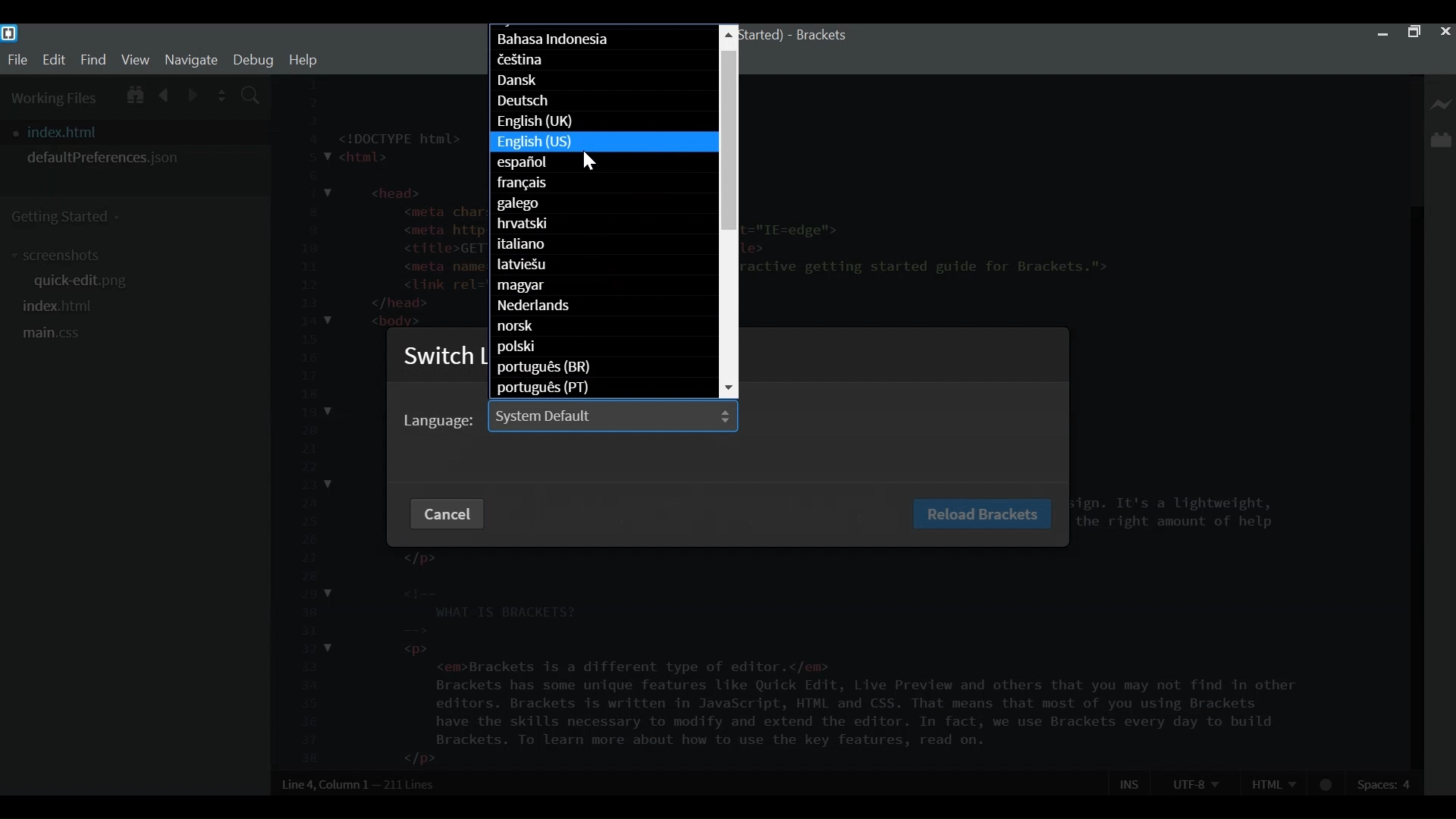  What do you see at coordinates (1382, 32) in the screenshot?
I see `minimize` at bounding box center [1382, 32].